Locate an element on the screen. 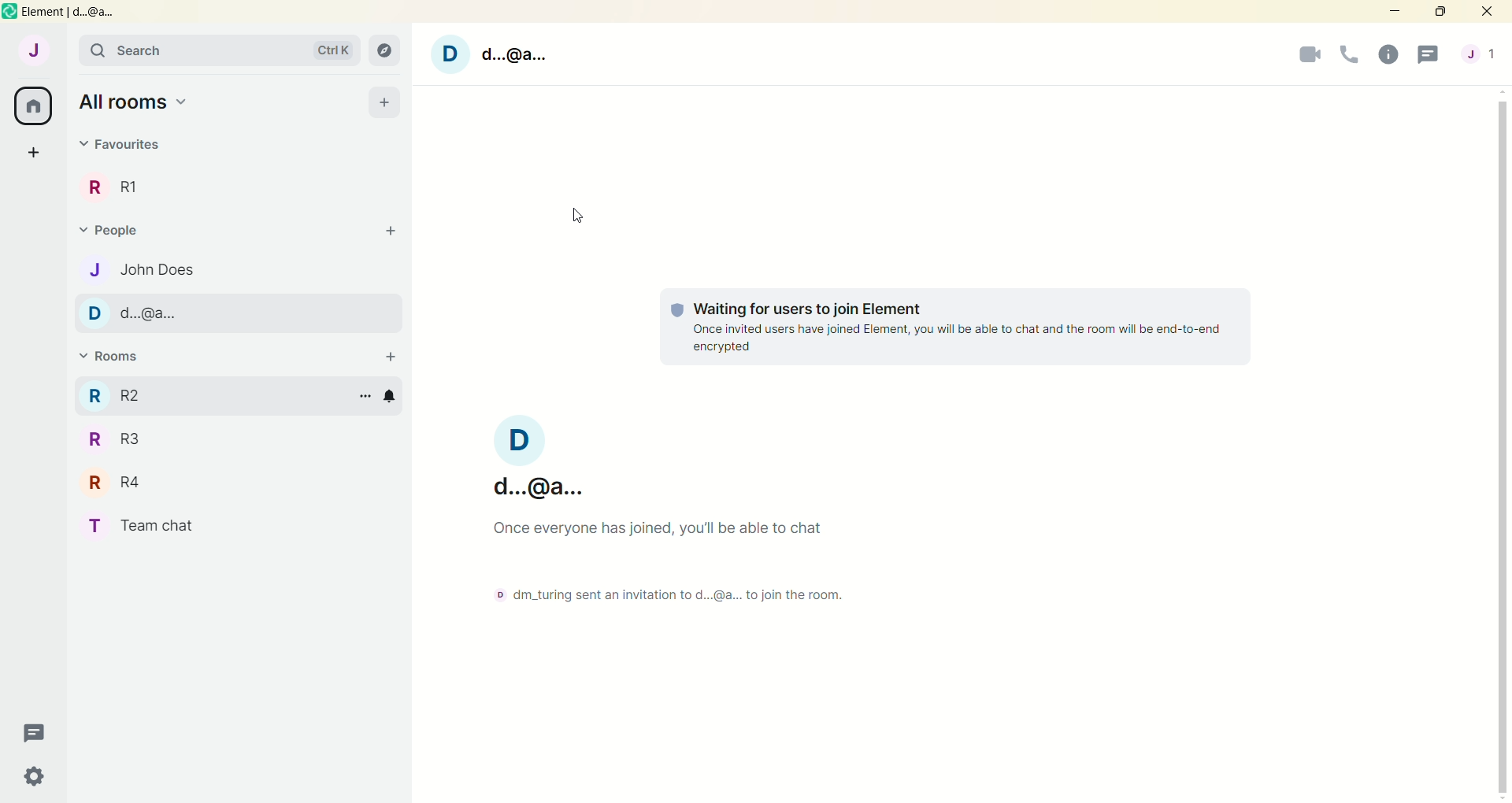 The height and width of the screenshot is (803, 1512). all rooms is located at coordinates (32, 106).